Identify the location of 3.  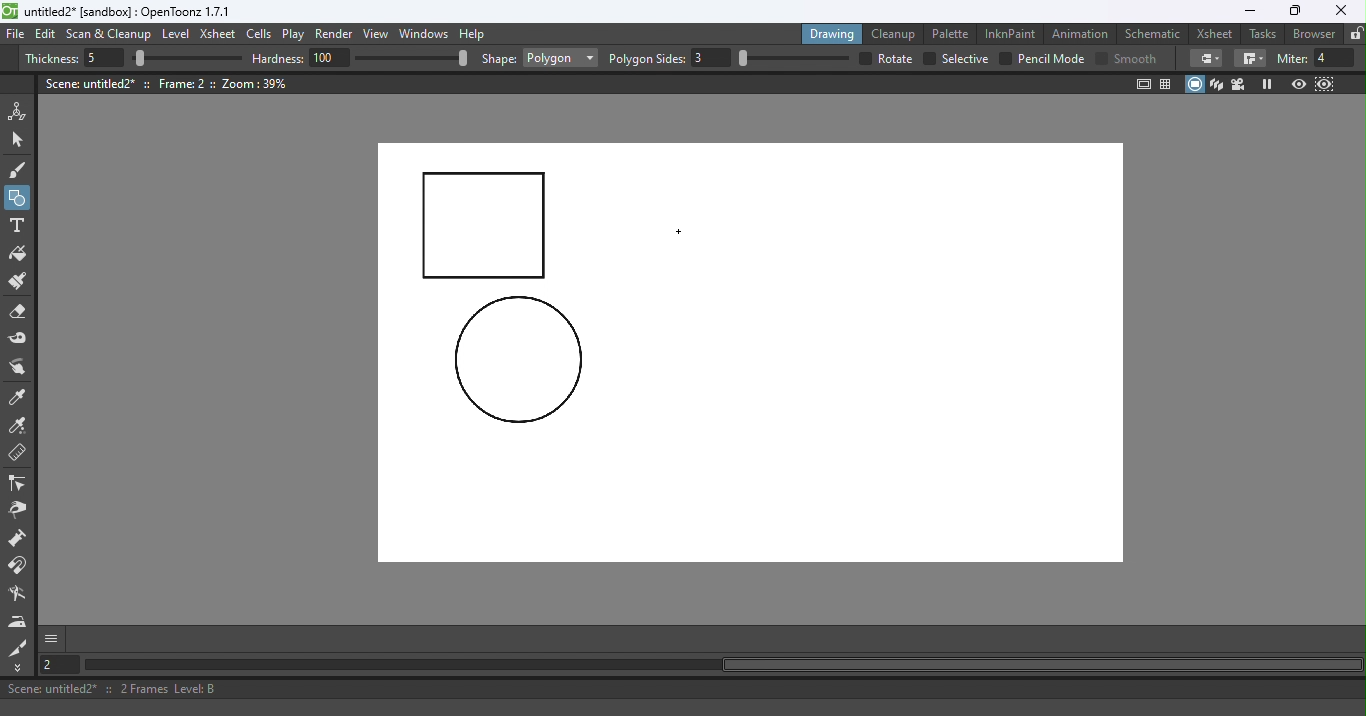
(712, 58).